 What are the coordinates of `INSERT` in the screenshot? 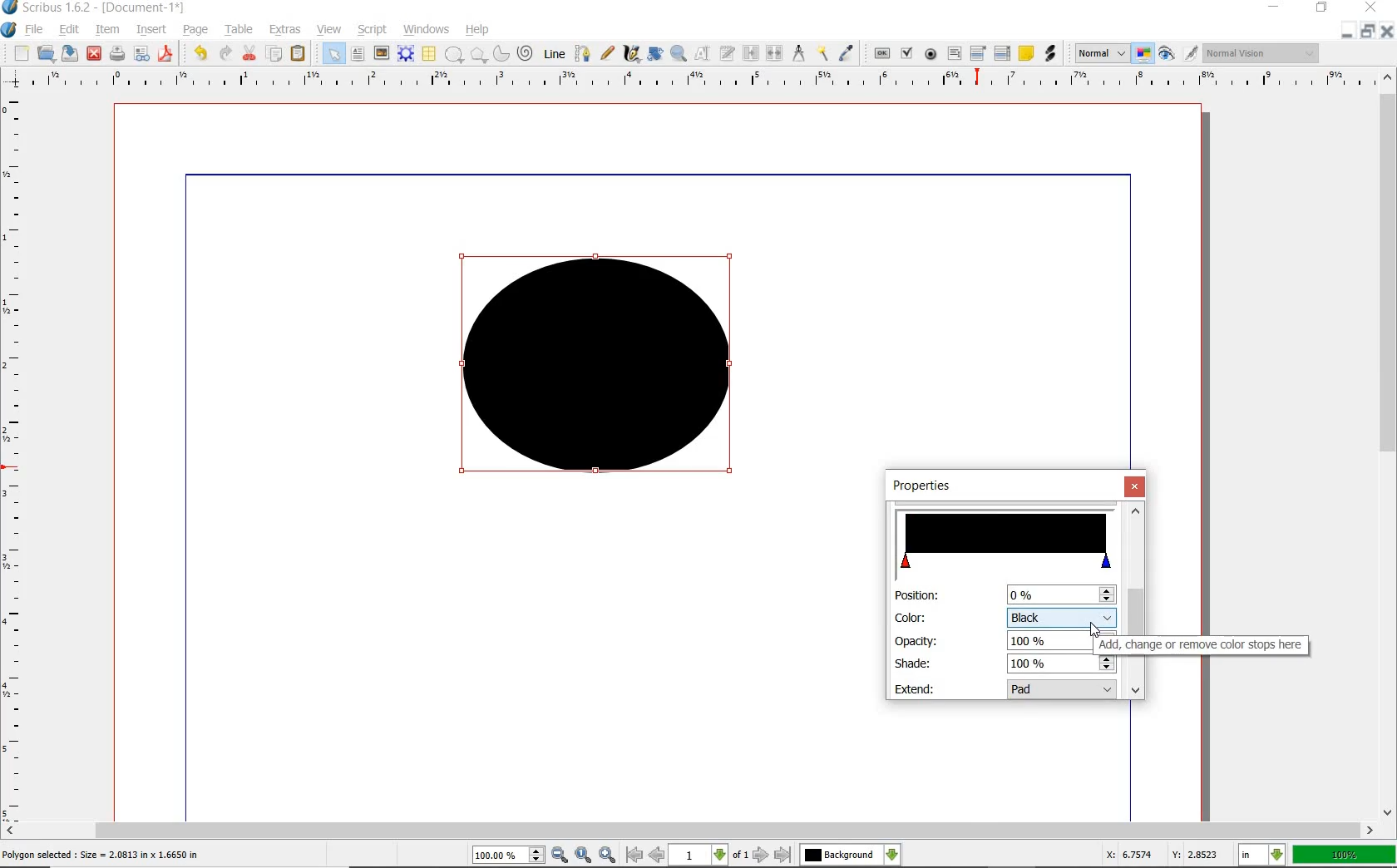 It's located at (151, 30).